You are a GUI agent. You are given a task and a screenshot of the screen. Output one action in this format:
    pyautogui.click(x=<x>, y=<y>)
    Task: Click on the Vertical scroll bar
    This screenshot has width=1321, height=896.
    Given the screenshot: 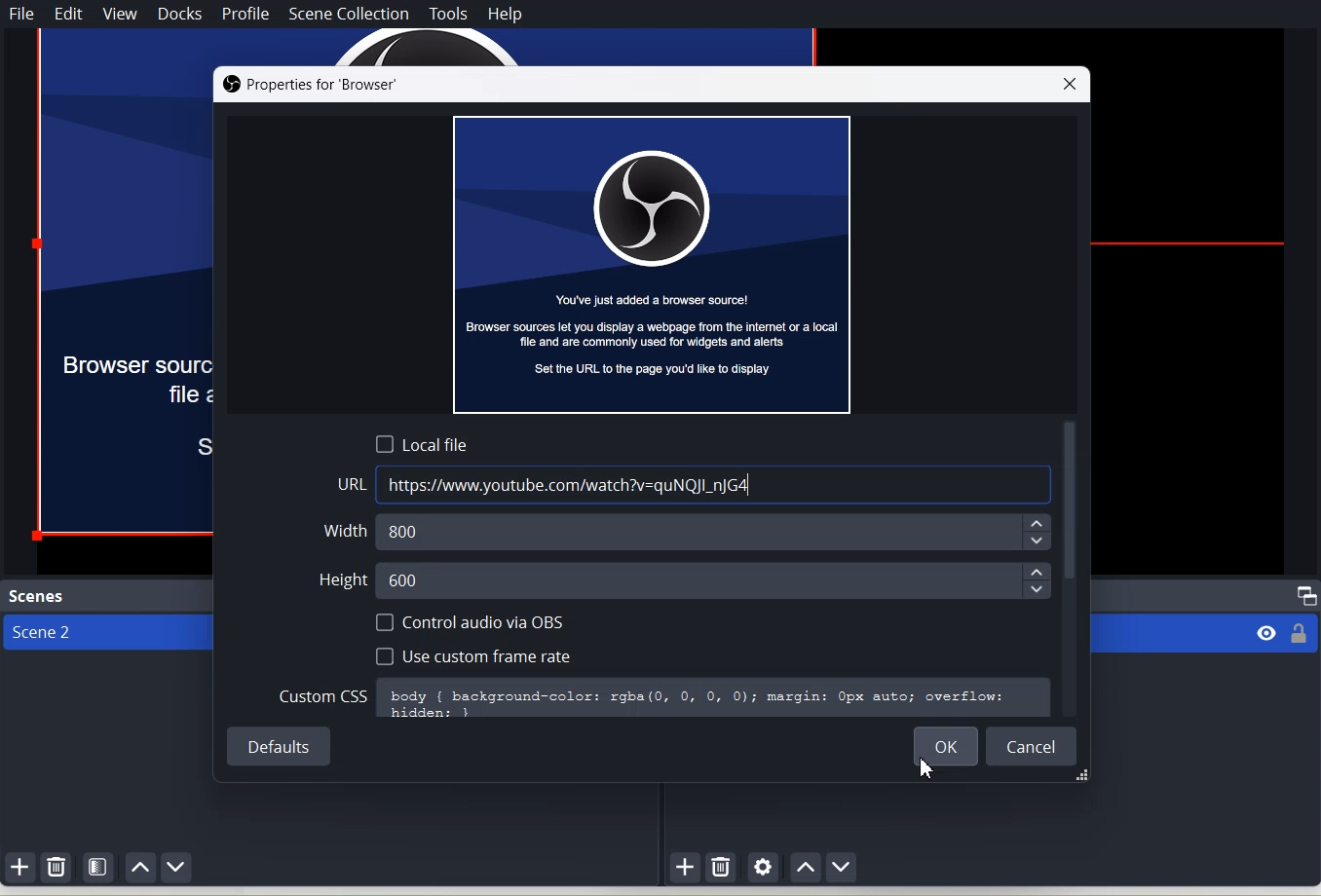 What is the action you would take?
    pyautogui.click(x=1071, y=569)
    